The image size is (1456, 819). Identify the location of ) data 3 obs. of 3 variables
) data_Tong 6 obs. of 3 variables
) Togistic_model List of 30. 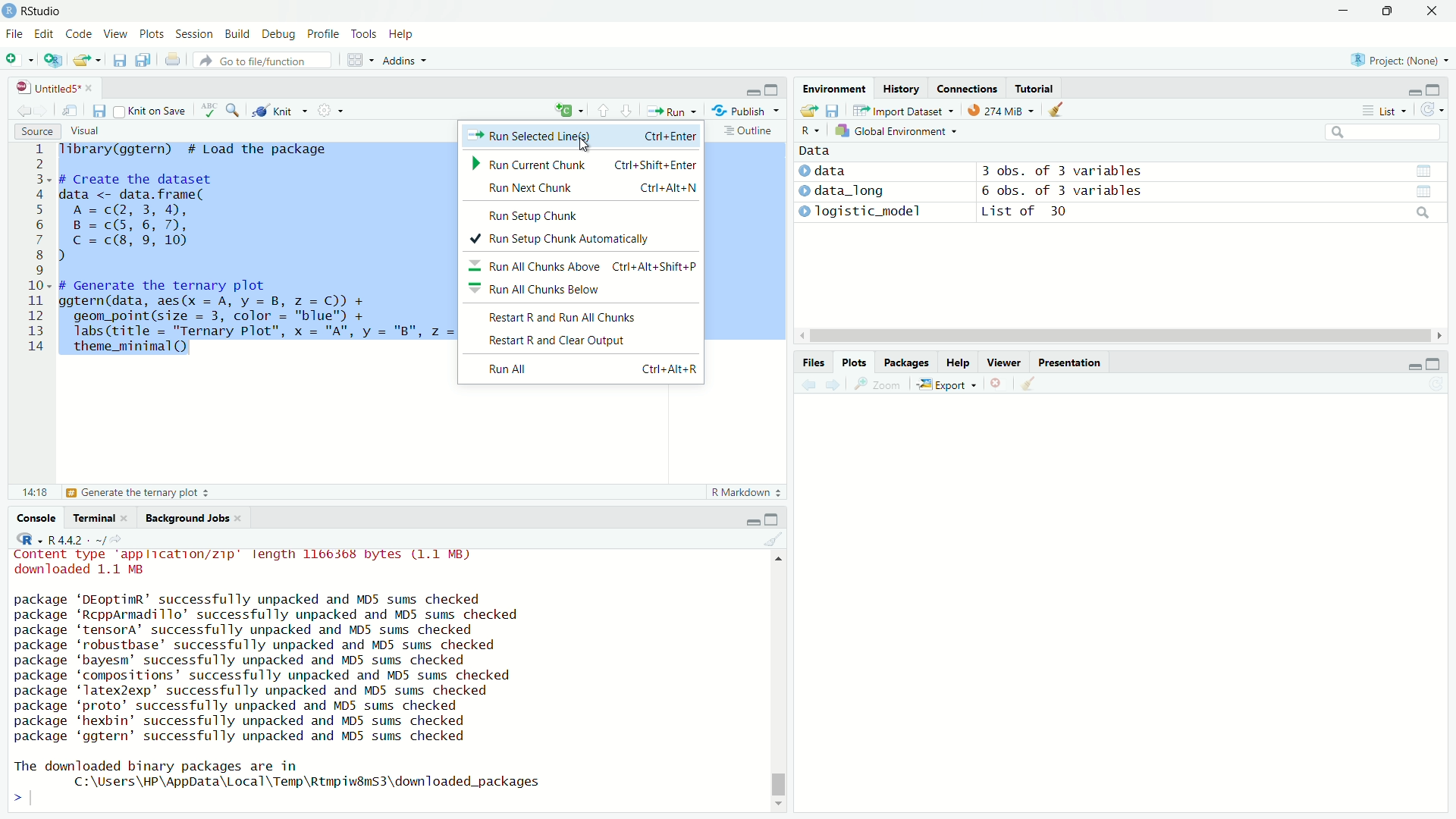
(1028, 196).